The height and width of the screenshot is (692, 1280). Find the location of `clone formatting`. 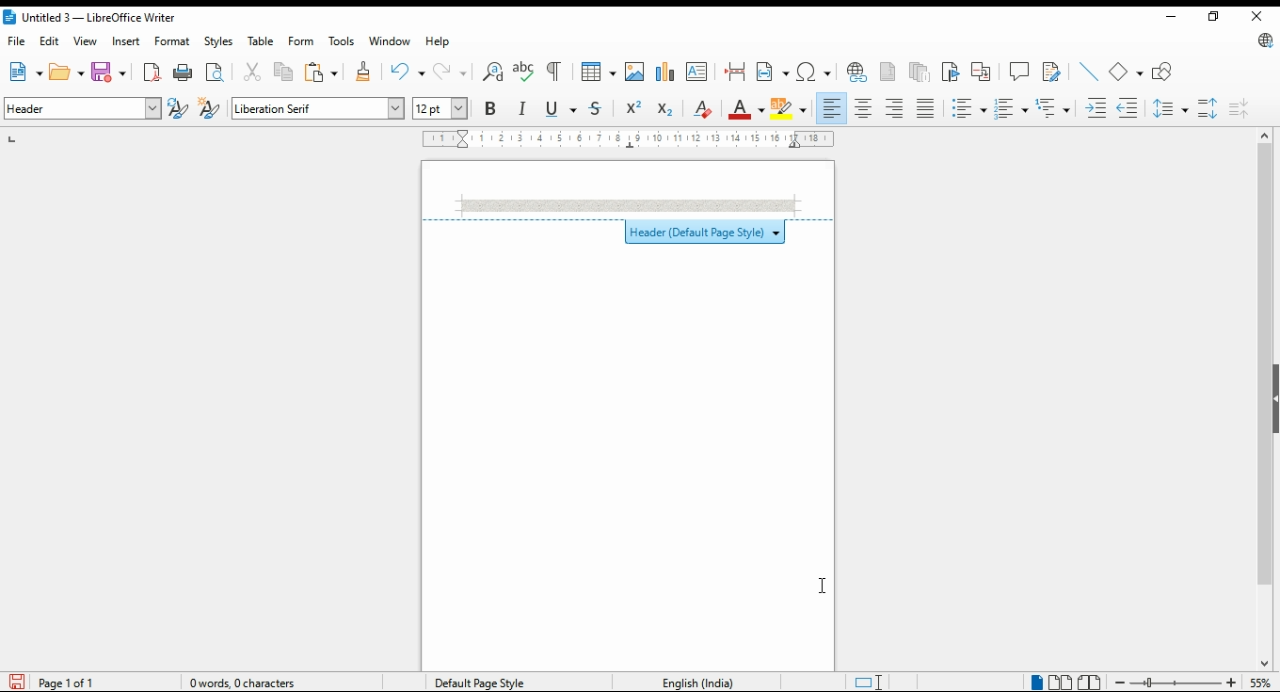

clone formatting is located at coordinates (362, 72).